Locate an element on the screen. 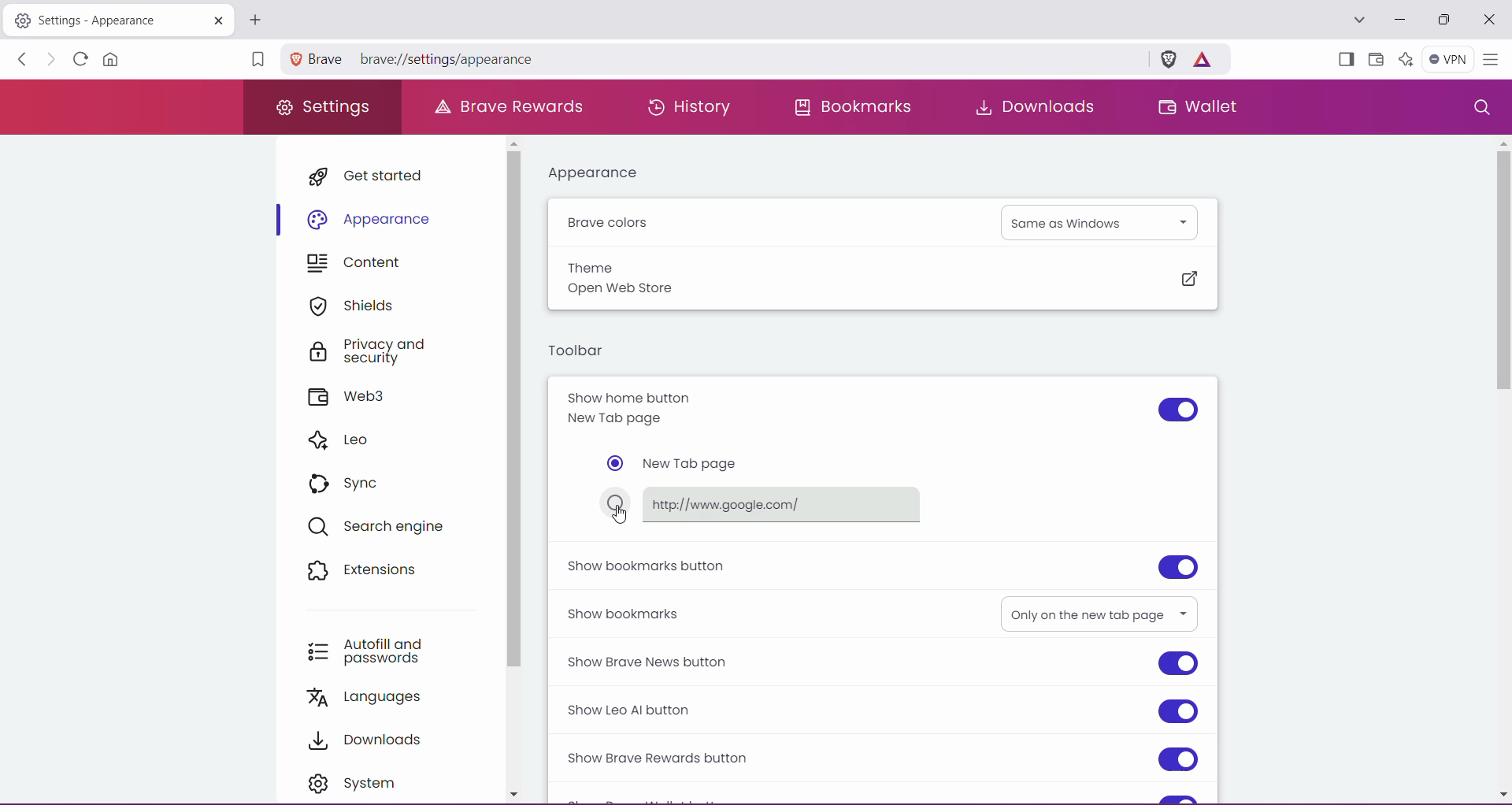  Click to set New Tab page as homepage is located at coordinates (676, 464).